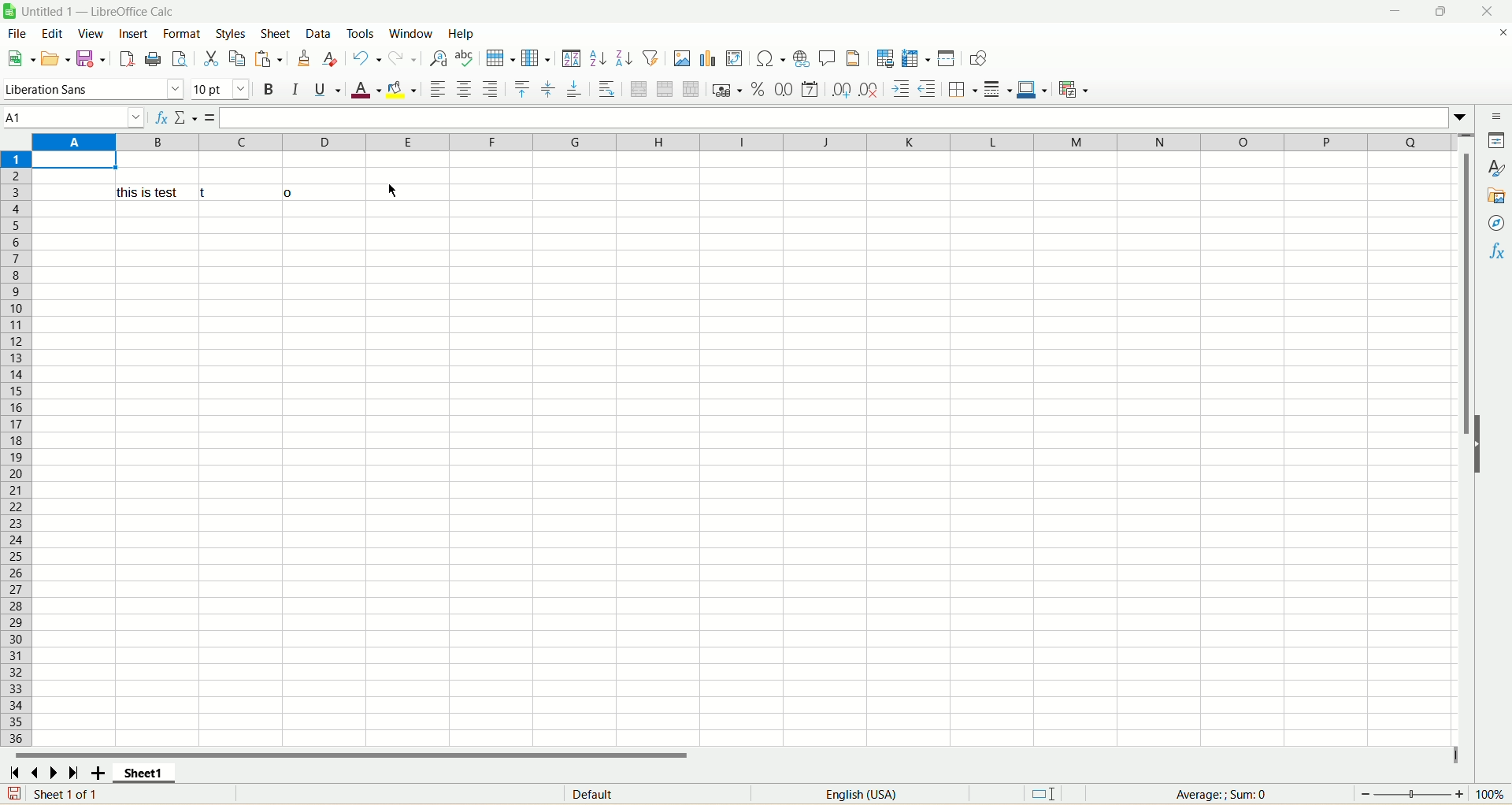 This screenshot has height=805, width=1512. I want to click on insert hyperlink, so click(801, 58).